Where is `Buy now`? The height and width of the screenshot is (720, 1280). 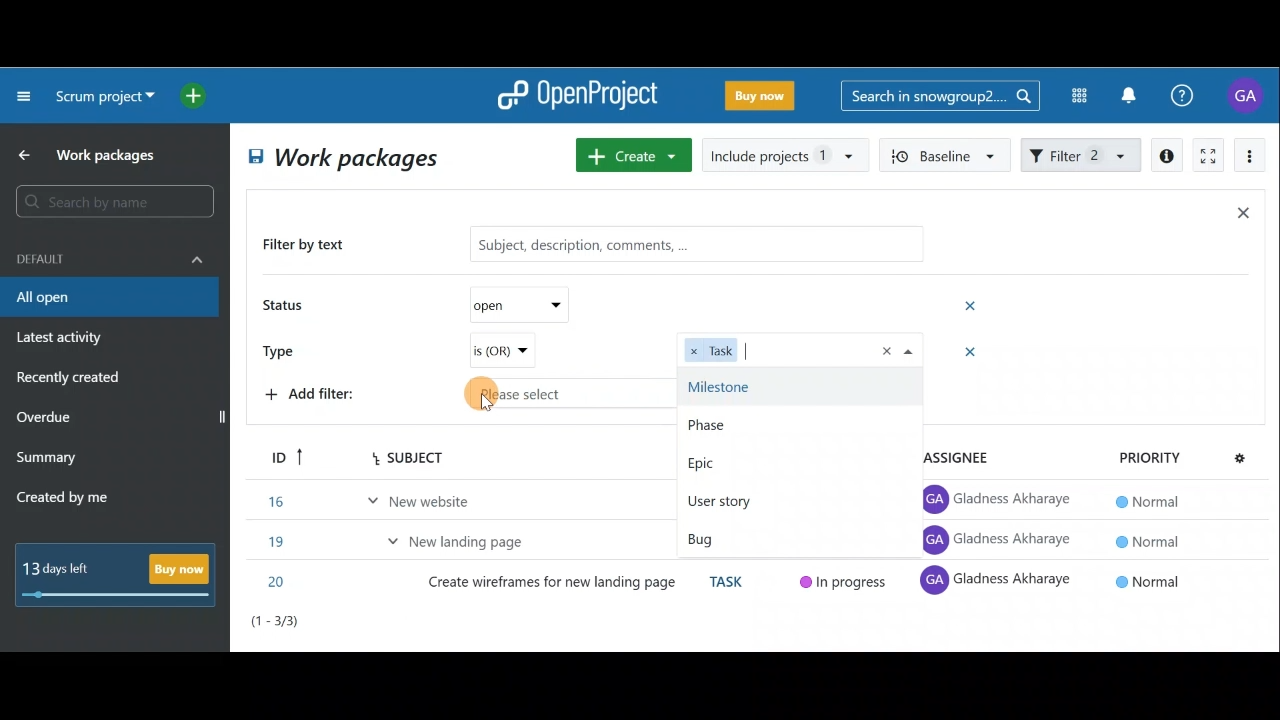
Buy now is located at coordinates (122, 574).